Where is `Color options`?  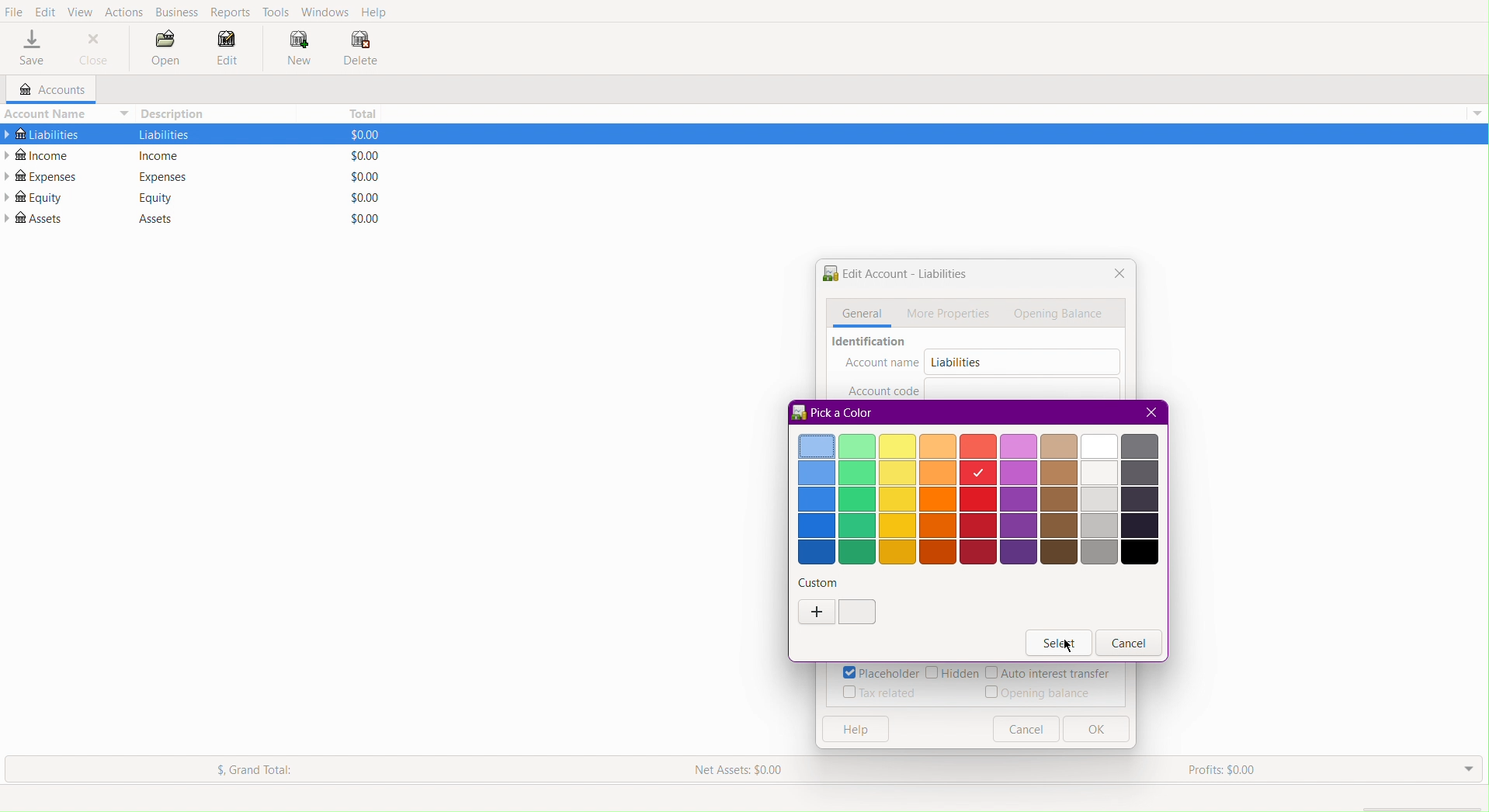 Color options is located at coordinates (977, 498).